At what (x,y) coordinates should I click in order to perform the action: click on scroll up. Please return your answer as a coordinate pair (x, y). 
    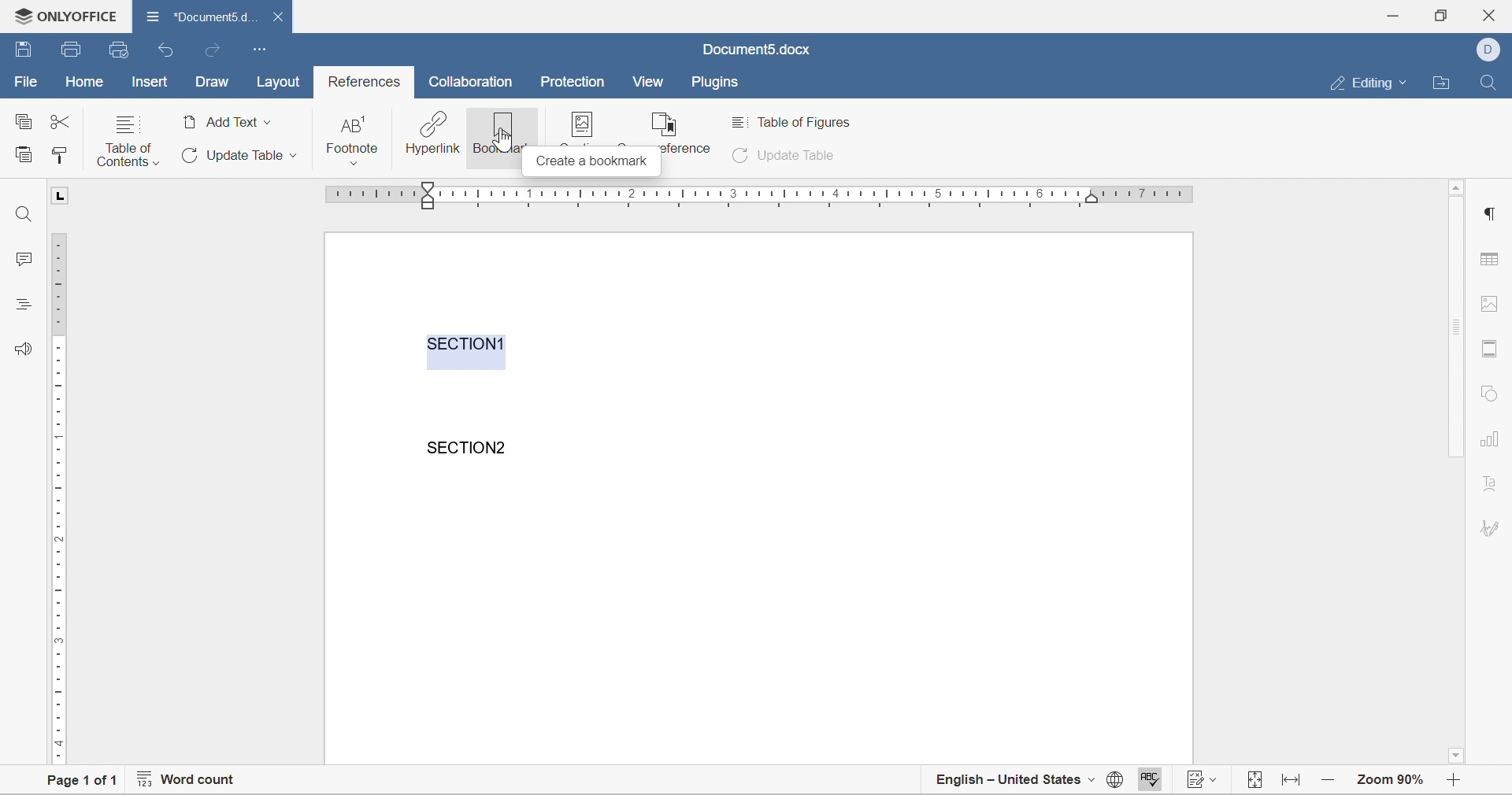
    Looking at the image, I should click on (1458, 187).